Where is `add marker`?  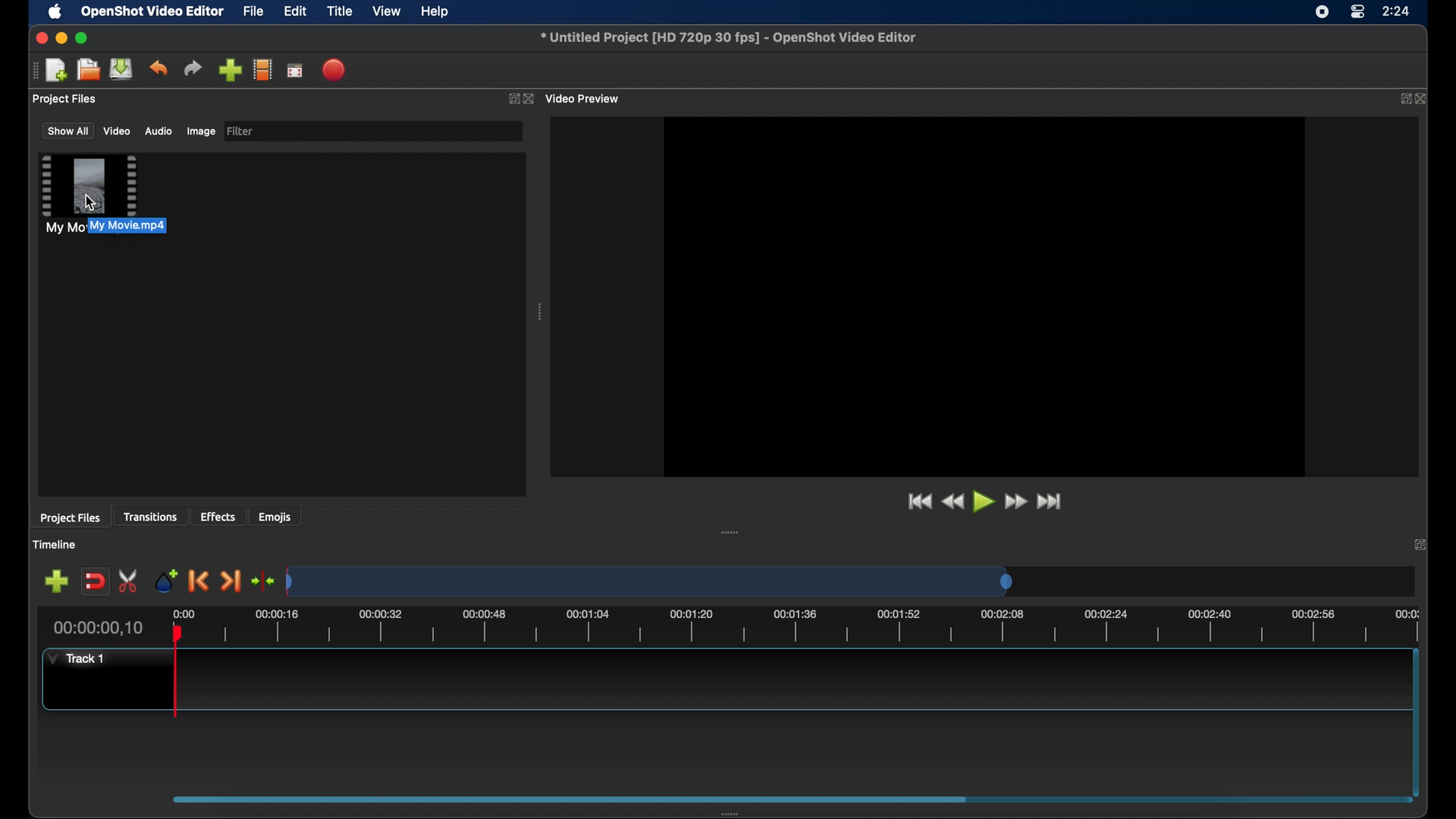 add marker is located at coordinates (165, 579).